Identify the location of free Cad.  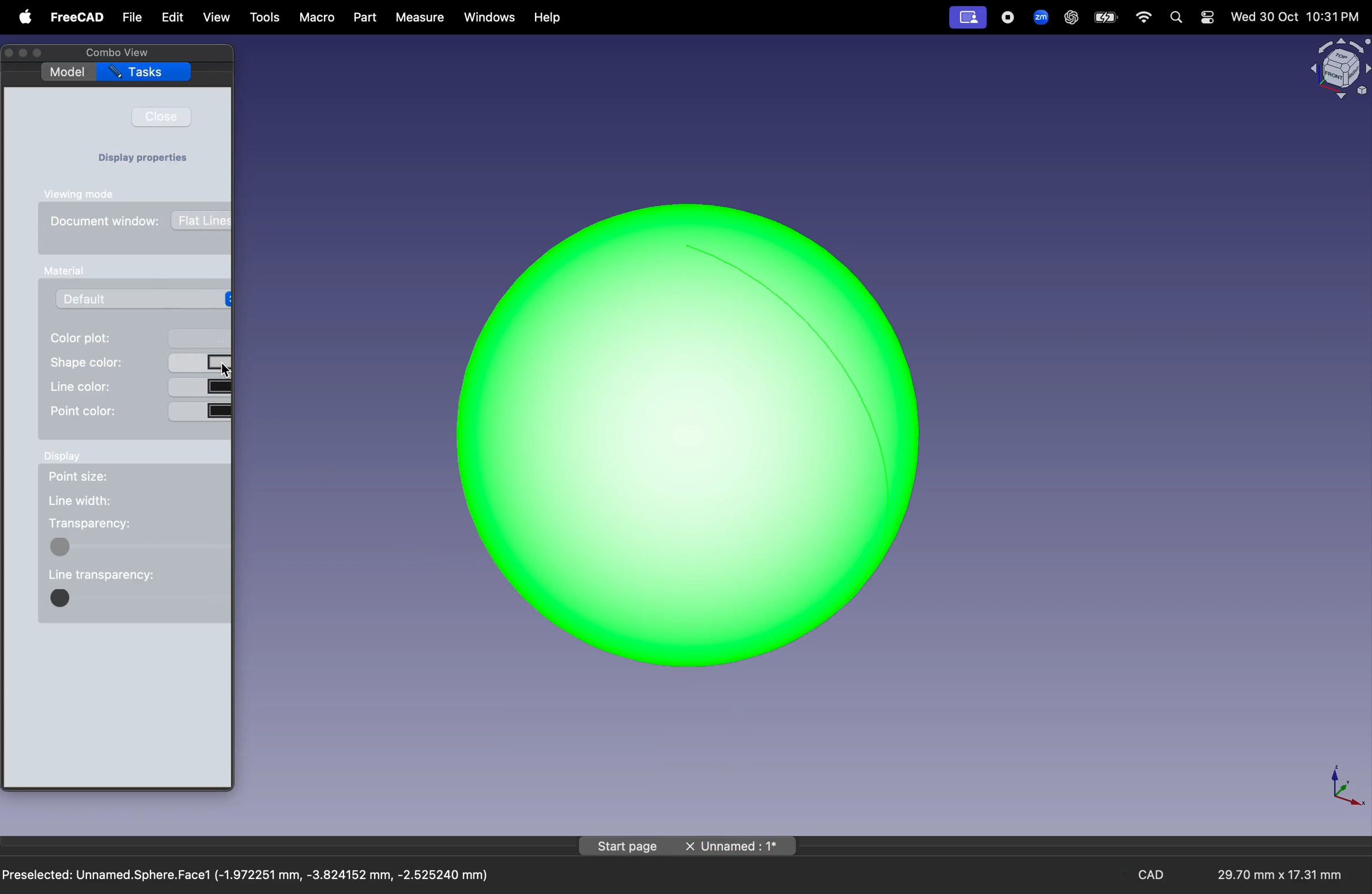
(77, 18).